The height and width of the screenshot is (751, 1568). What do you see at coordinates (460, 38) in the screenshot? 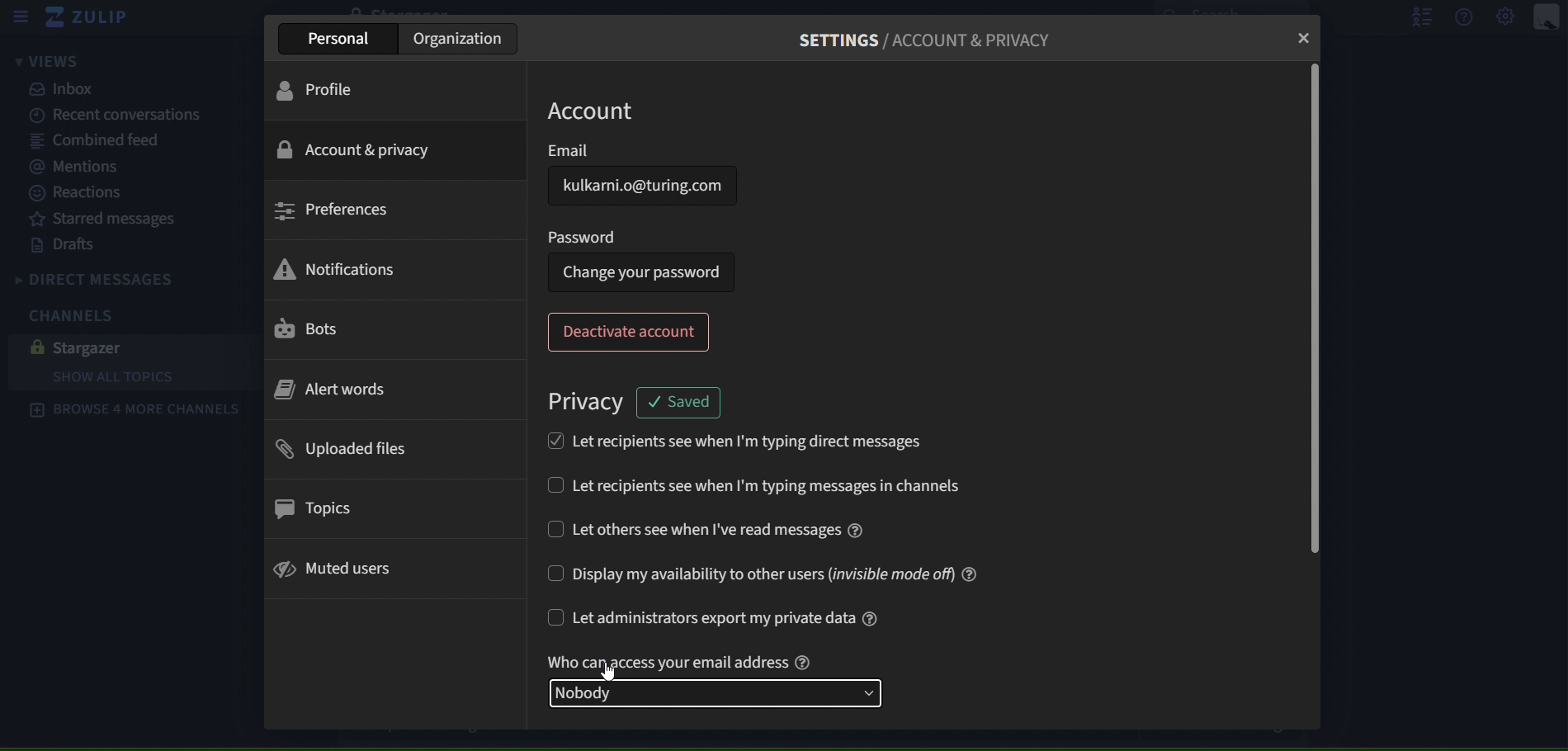
I see `organization` at bounding box center [460, 38].